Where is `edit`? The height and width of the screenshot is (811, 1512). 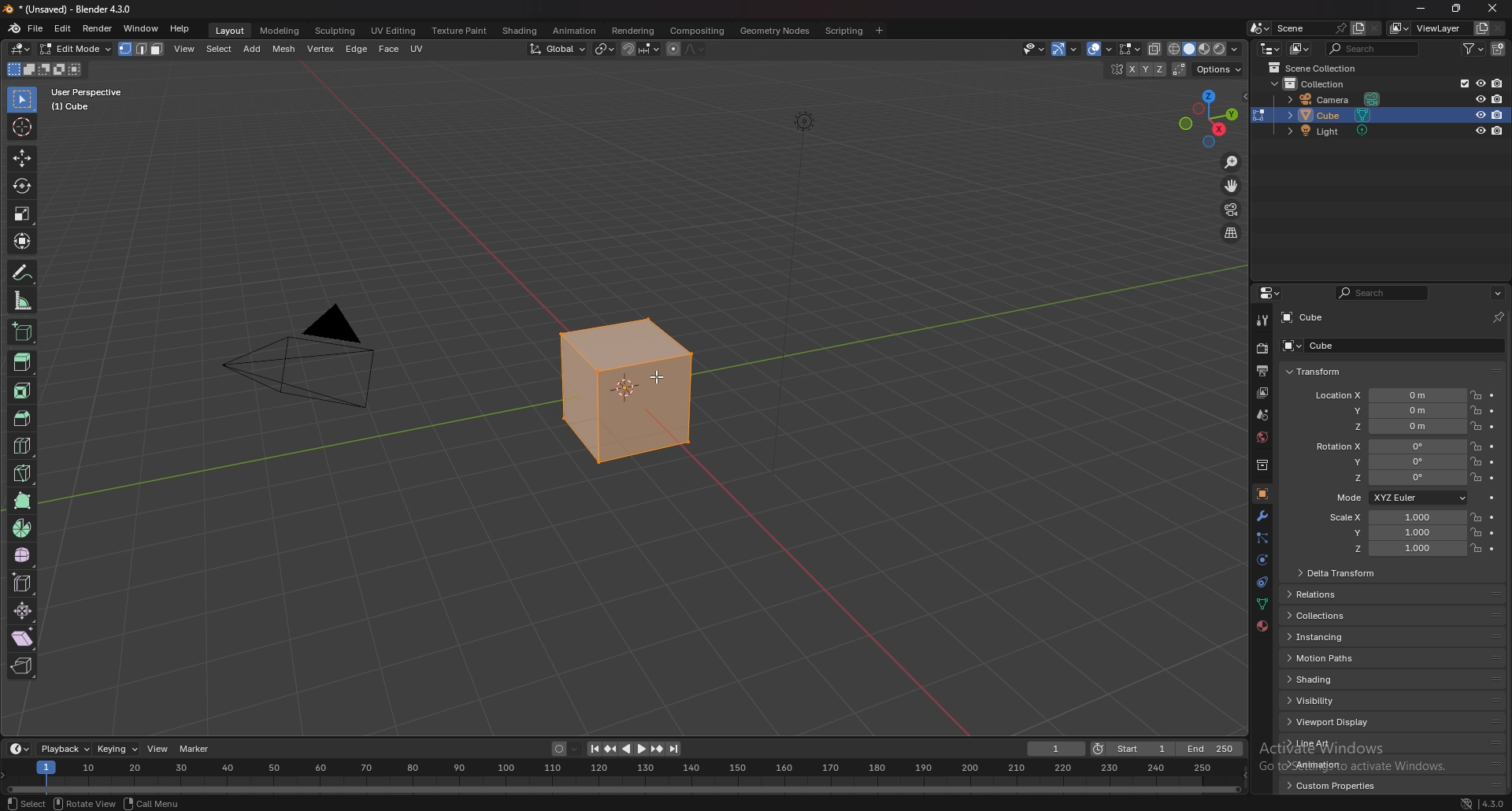 edit is located at coordinates (63, 29).